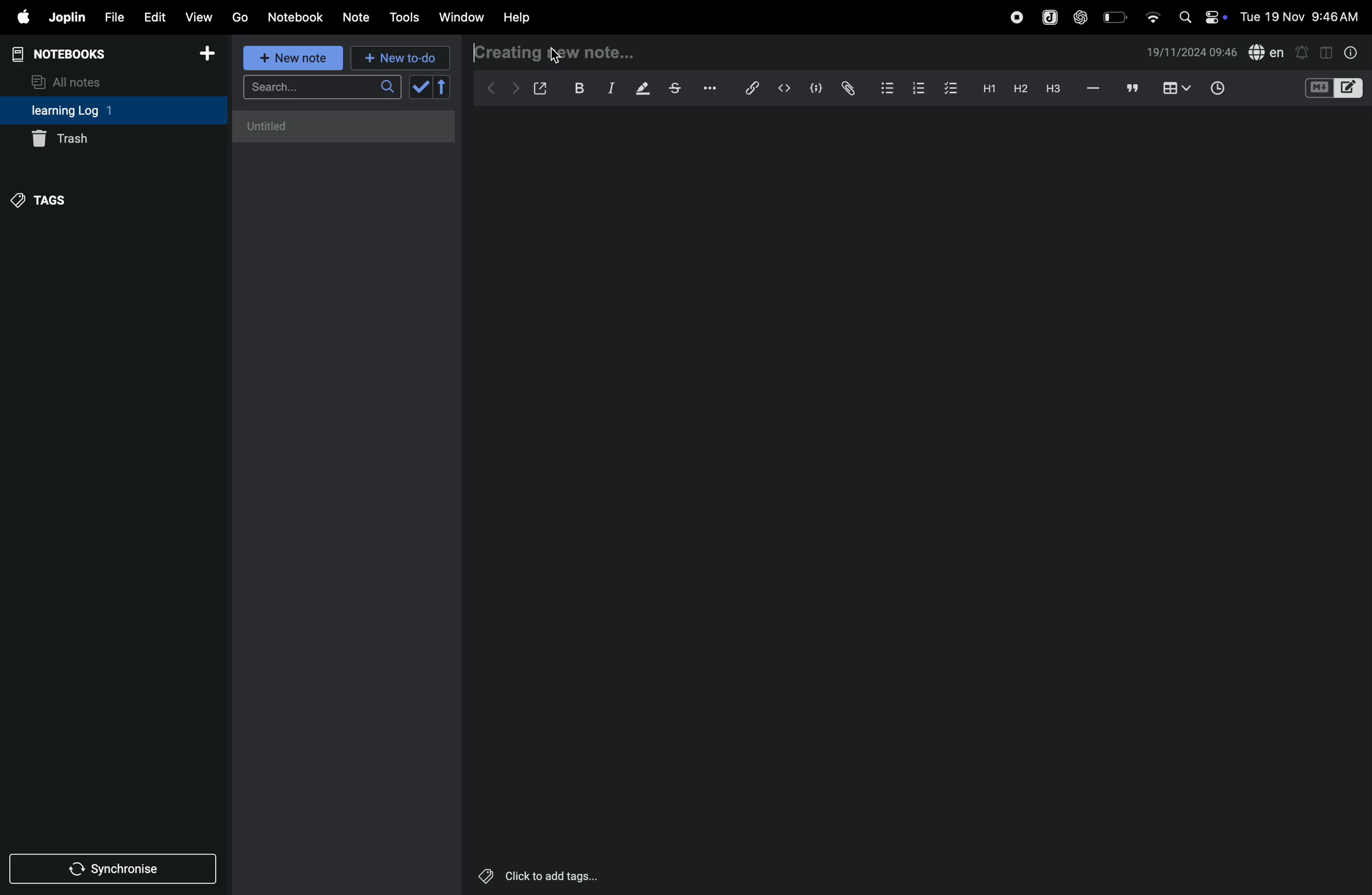 The image size is (1372, 895). What do you see at coordinates (675, 88) in the screenshot?
I see `strike through` at bounding box center [675, 88].